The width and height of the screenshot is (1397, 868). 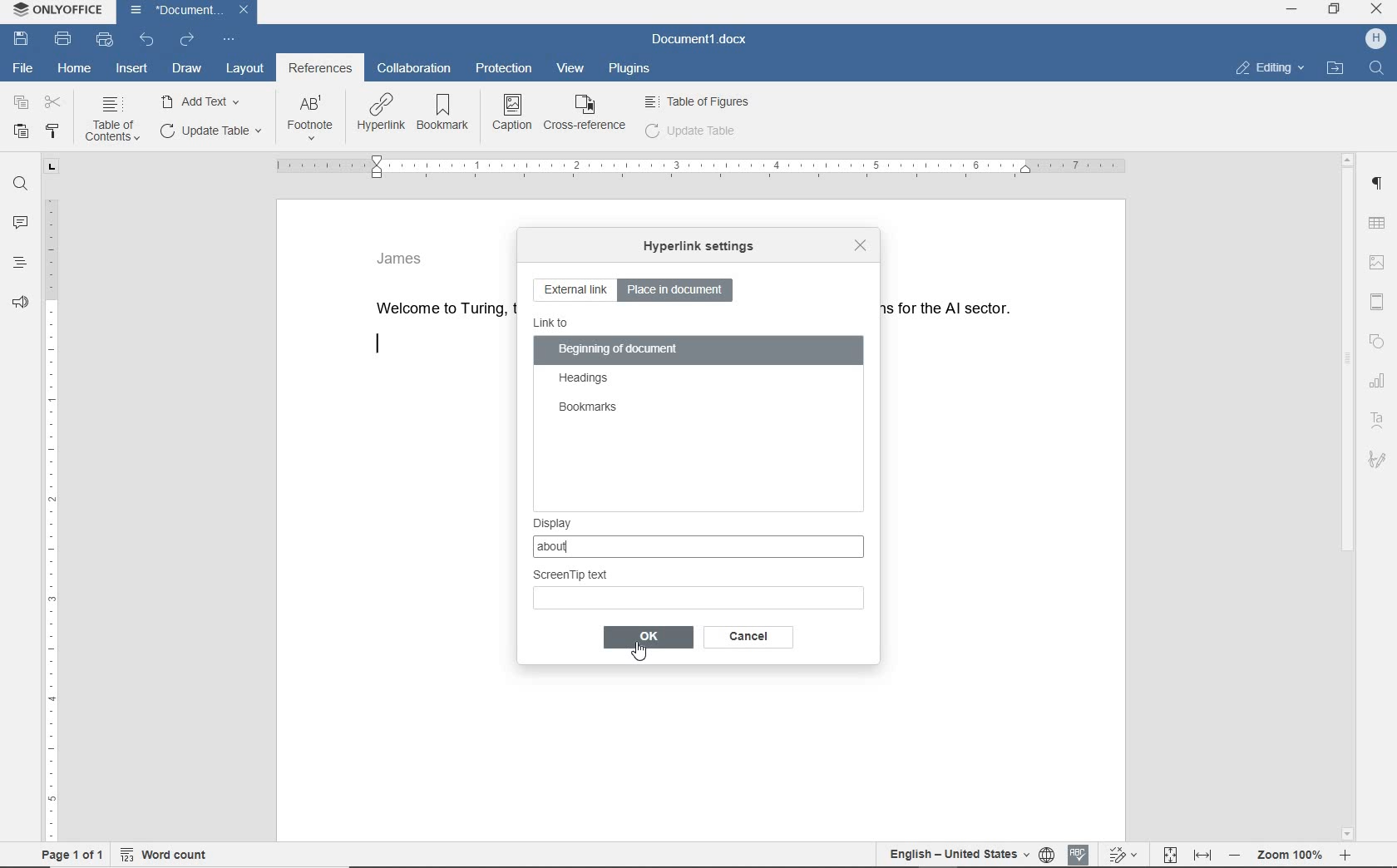 What do you see at coordinates (698, 100) in the screenshot?
I see `Table of figures` at bounding box center [698, 100].